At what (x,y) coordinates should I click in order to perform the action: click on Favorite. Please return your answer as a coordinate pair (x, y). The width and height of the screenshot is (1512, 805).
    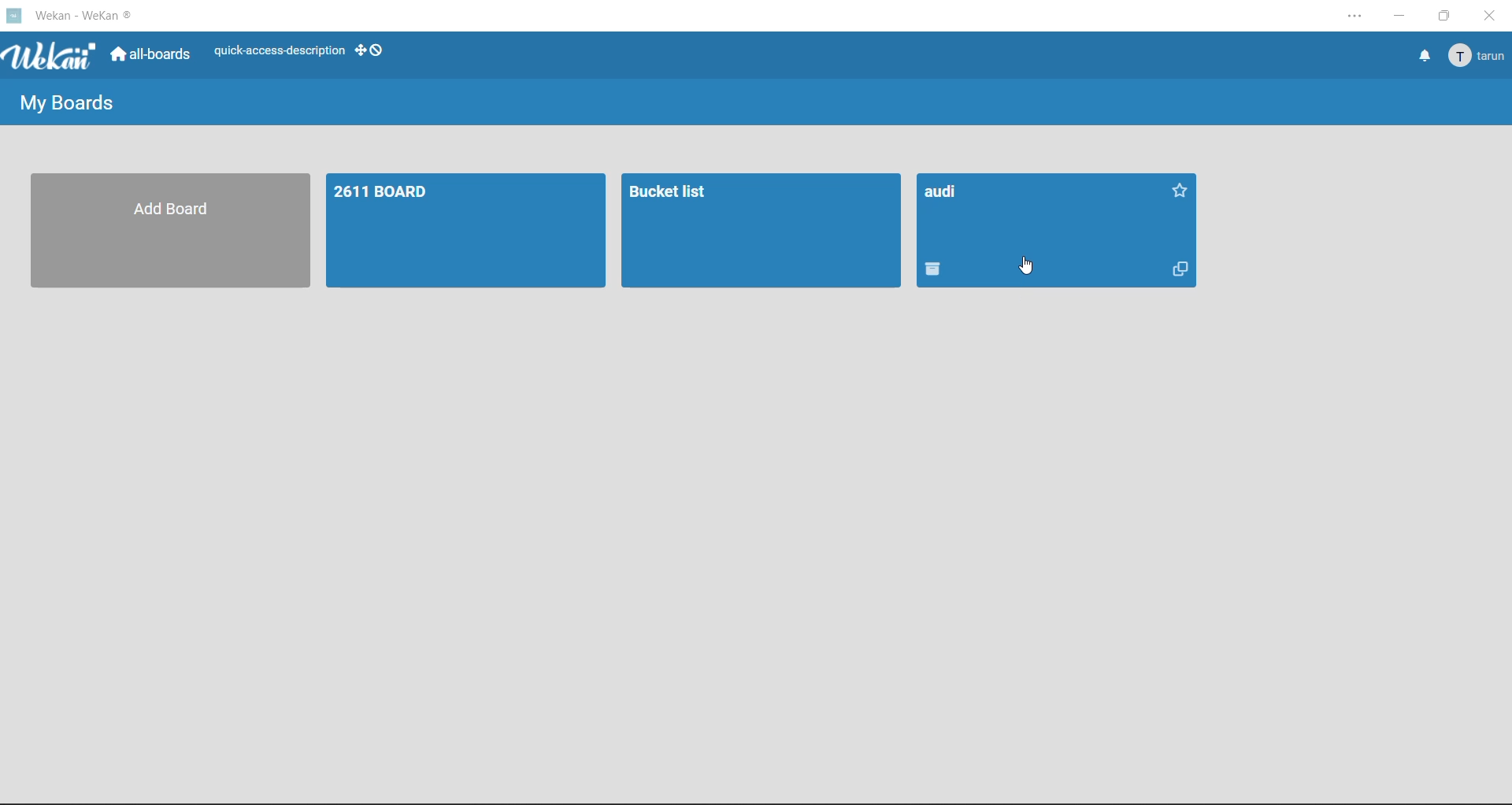
    Looking at the image, I should click on (1180, 187).